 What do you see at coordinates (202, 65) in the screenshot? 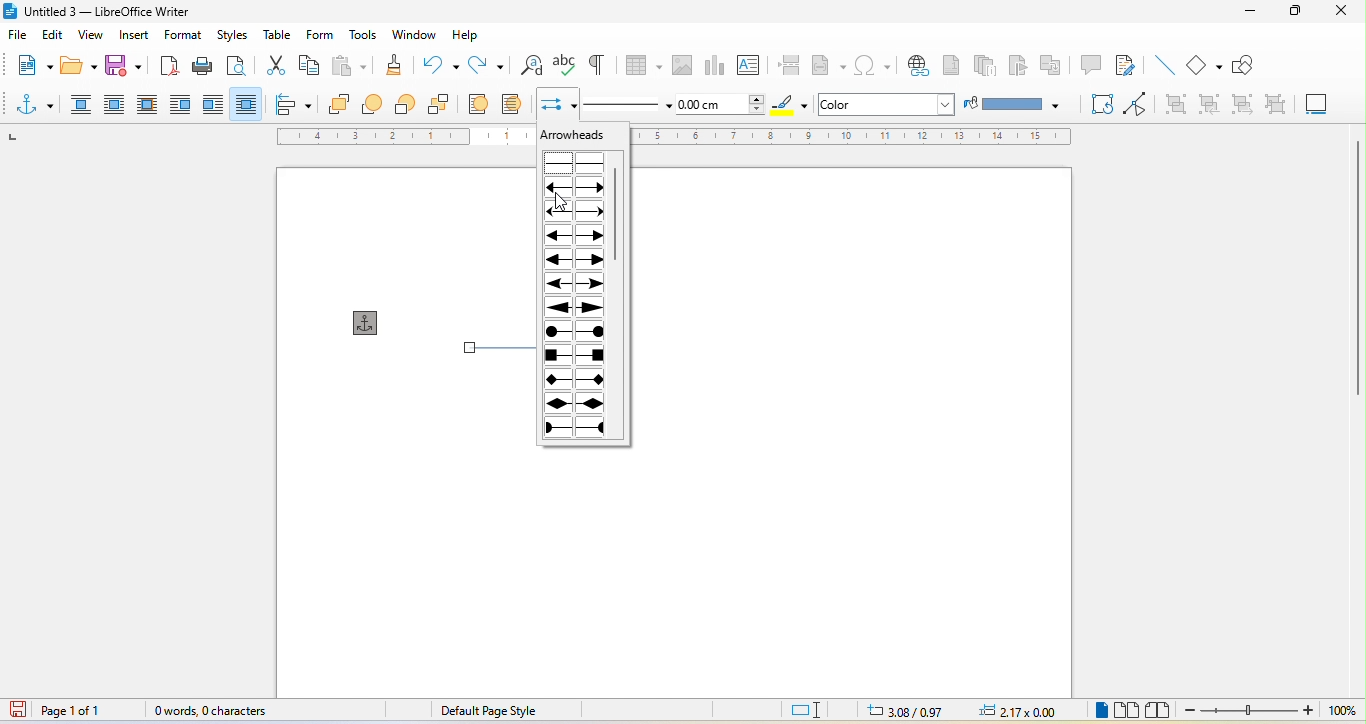
I see `print` at bounding box center [202, 65].